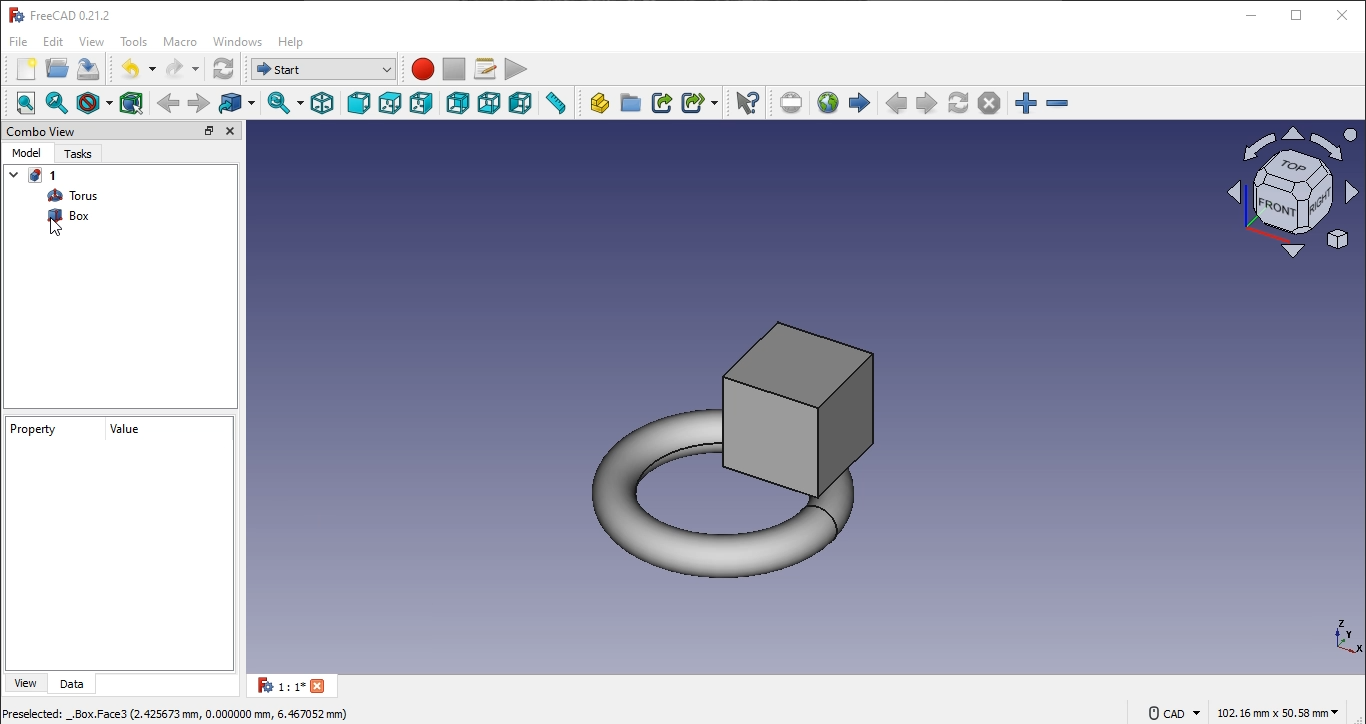  I want to click on ight, so click(423, 105).